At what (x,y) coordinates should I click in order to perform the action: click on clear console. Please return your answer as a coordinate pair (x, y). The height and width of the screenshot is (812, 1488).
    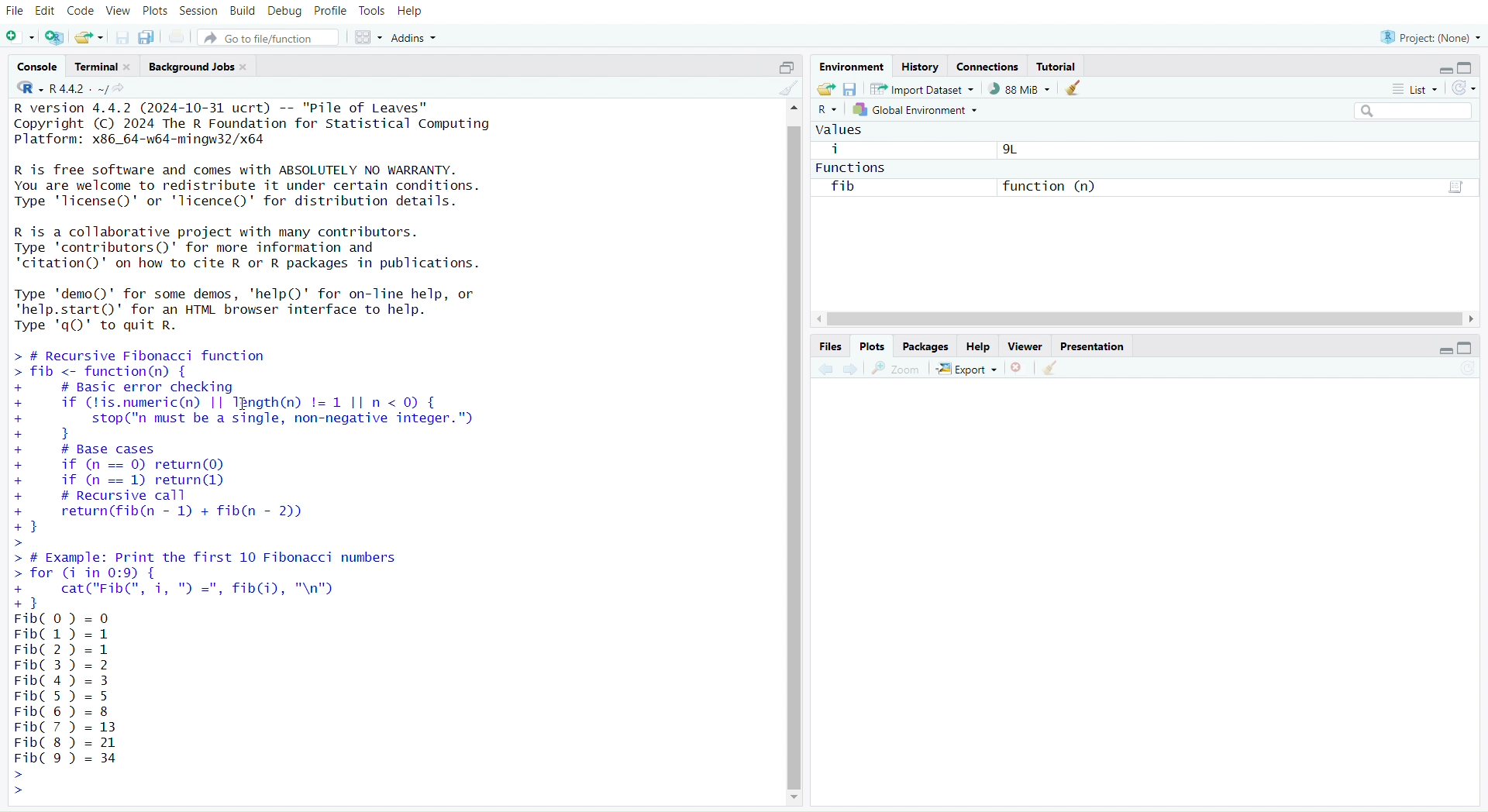
    Looking at the image, I should click on (787, 89).